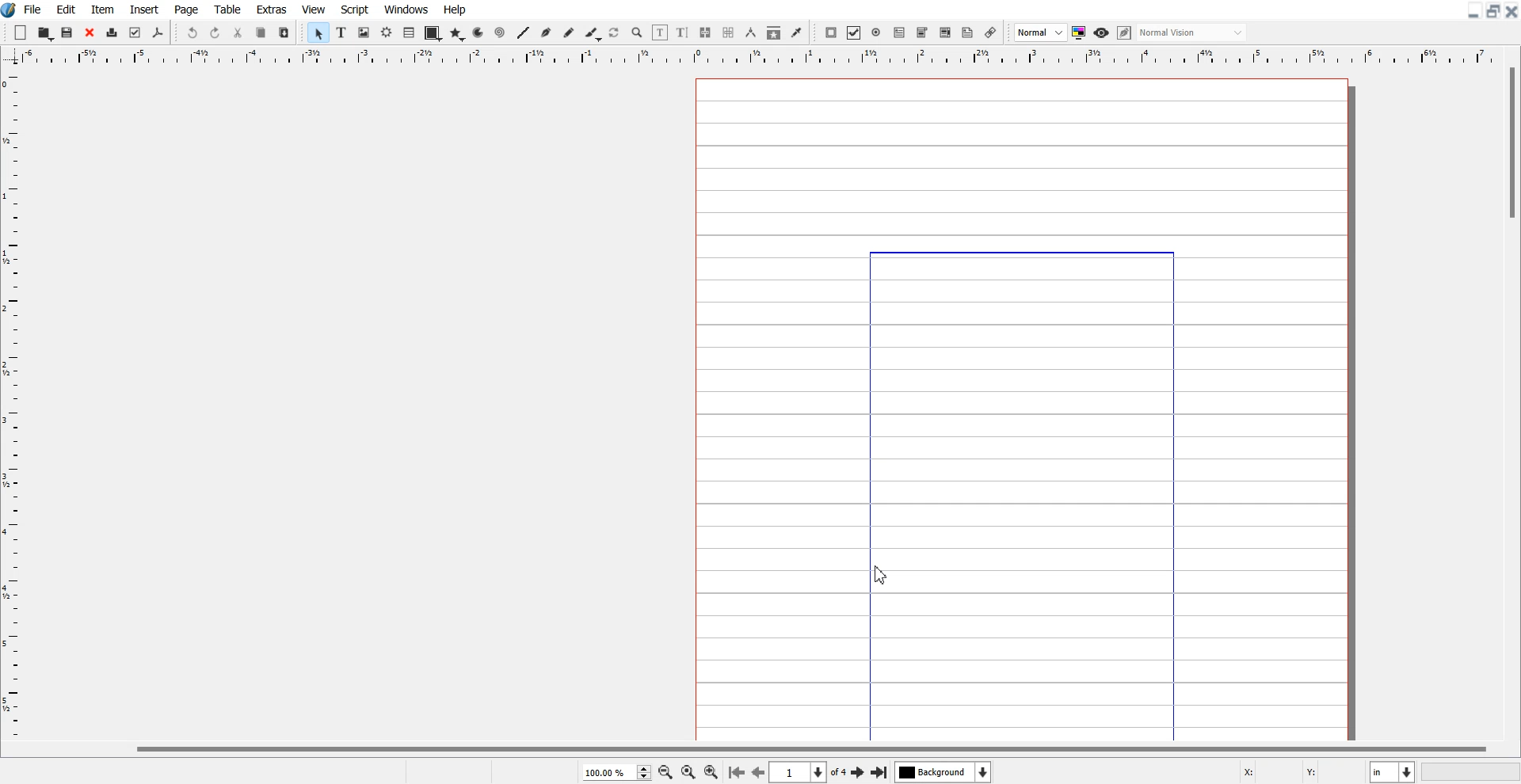  I want to click on Zoom to 100%, so click(688, 771).